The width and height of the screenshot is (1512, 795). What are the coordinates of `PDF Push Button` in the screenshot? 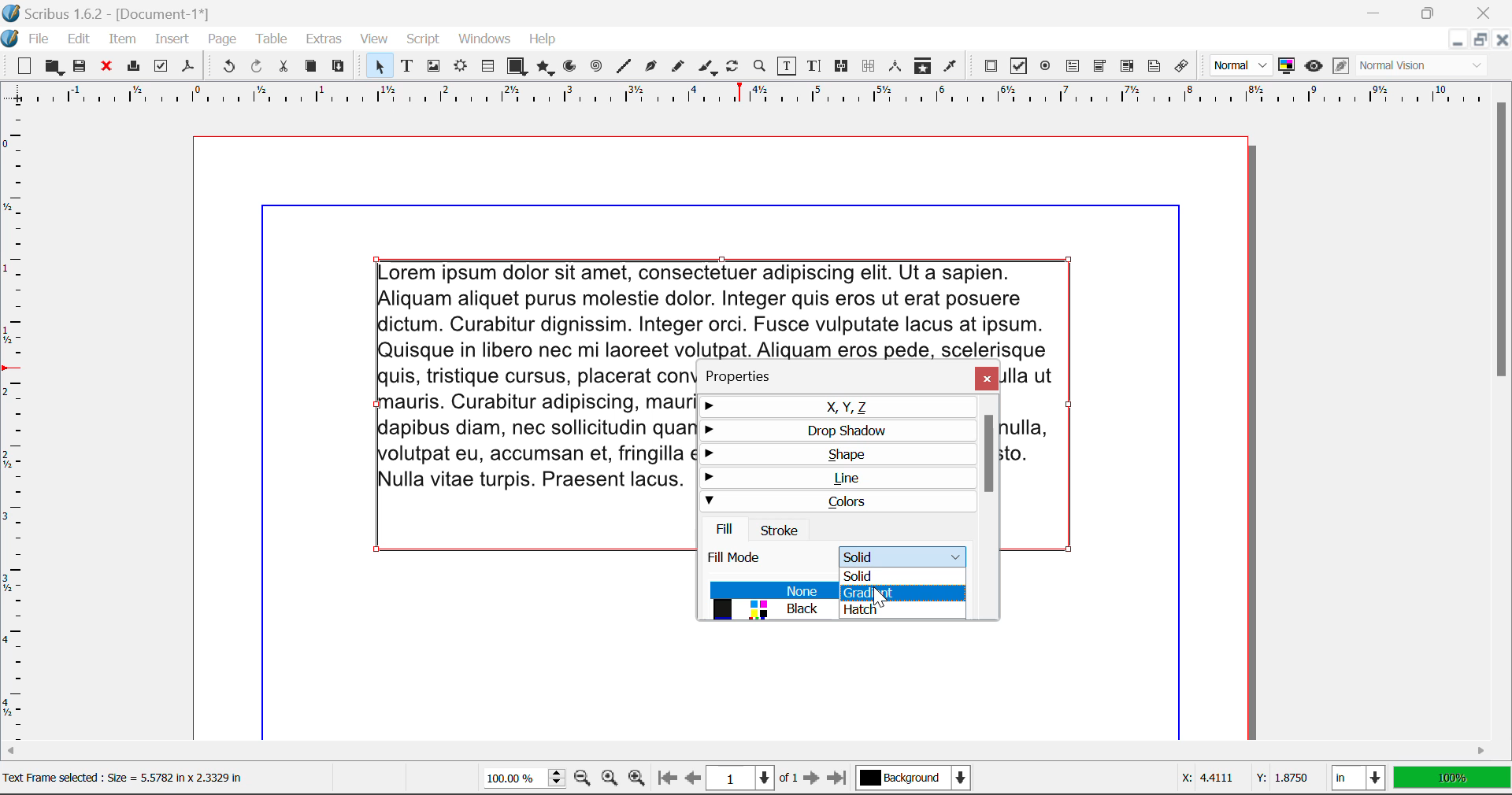 It's located at (991, 65).